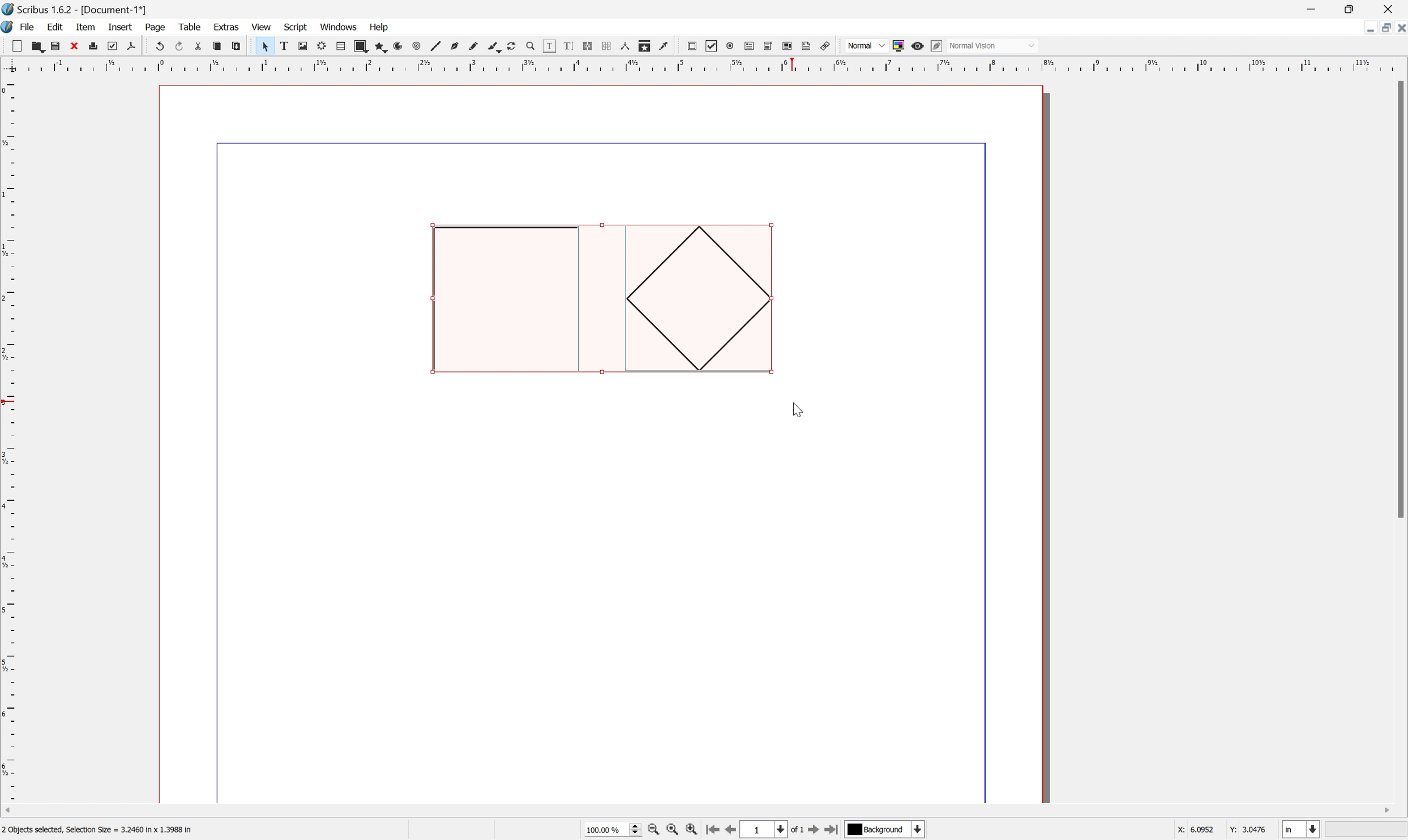 This screenshot has width=1408, height=840. I want to click on zoom in or zoom out, so click(527, 46).